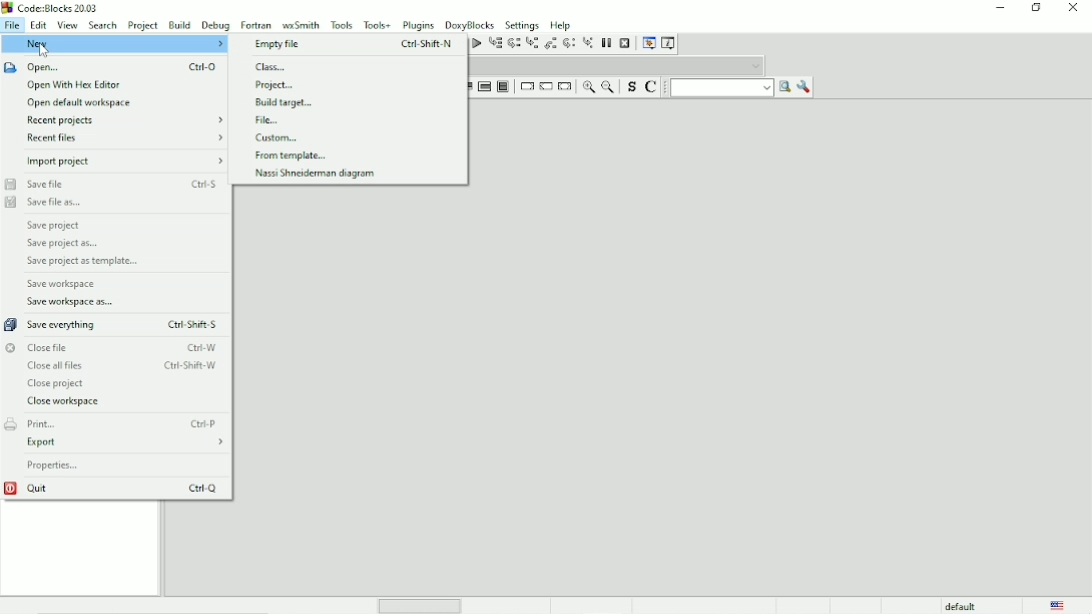 Image resolution: width=1092 pixels, height=614 pixels. Describe the element at coordinates (65, 402) in the screenshot. I see `Close workspace` at that location.